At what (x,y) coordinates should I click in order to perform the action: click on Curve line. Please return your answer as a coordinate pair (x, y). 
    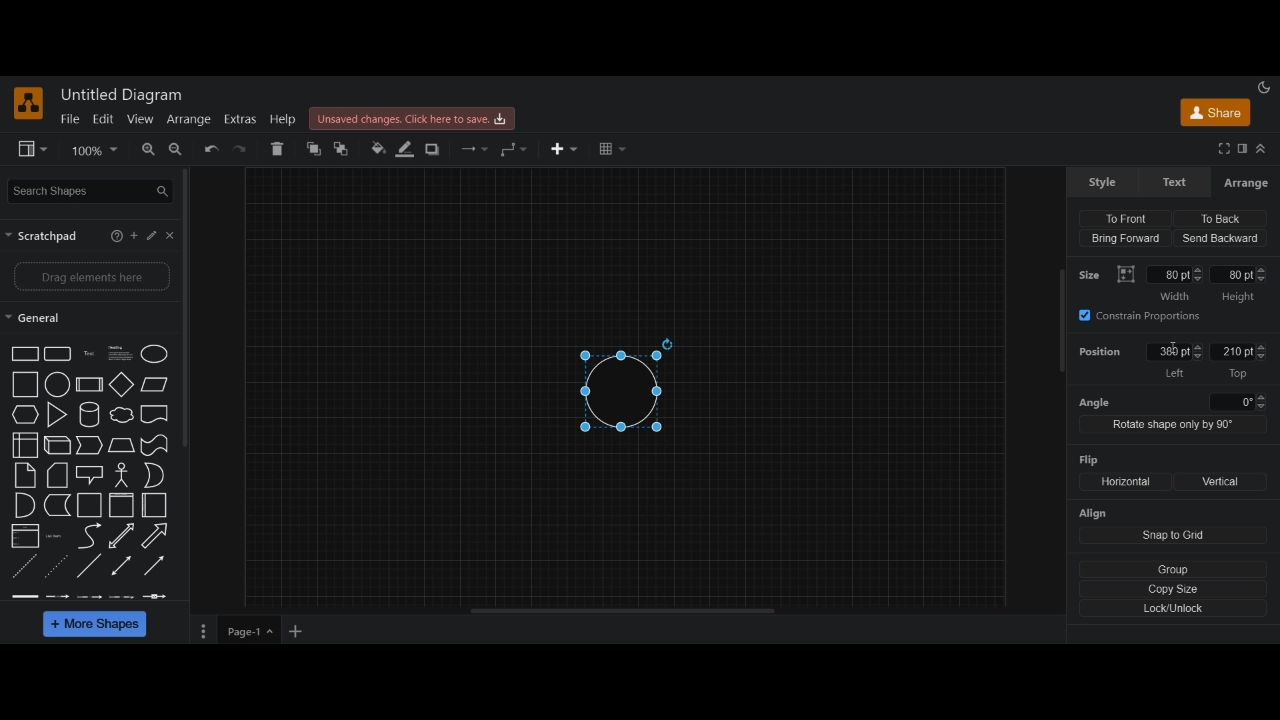
    Looking at the image, I should click on (89, 536).